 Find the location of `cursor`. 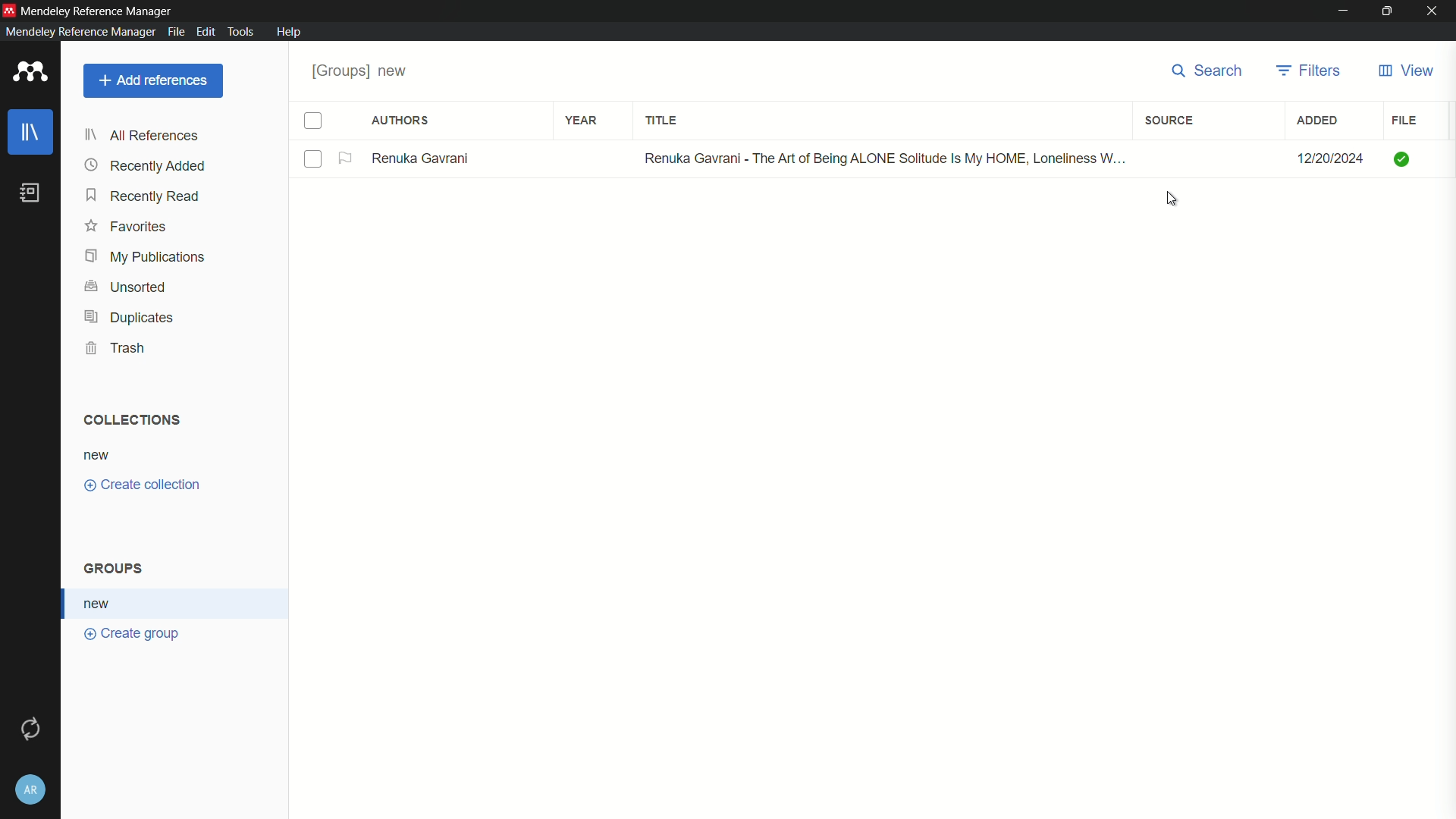

cursor is located at coordinates (1171, 199).